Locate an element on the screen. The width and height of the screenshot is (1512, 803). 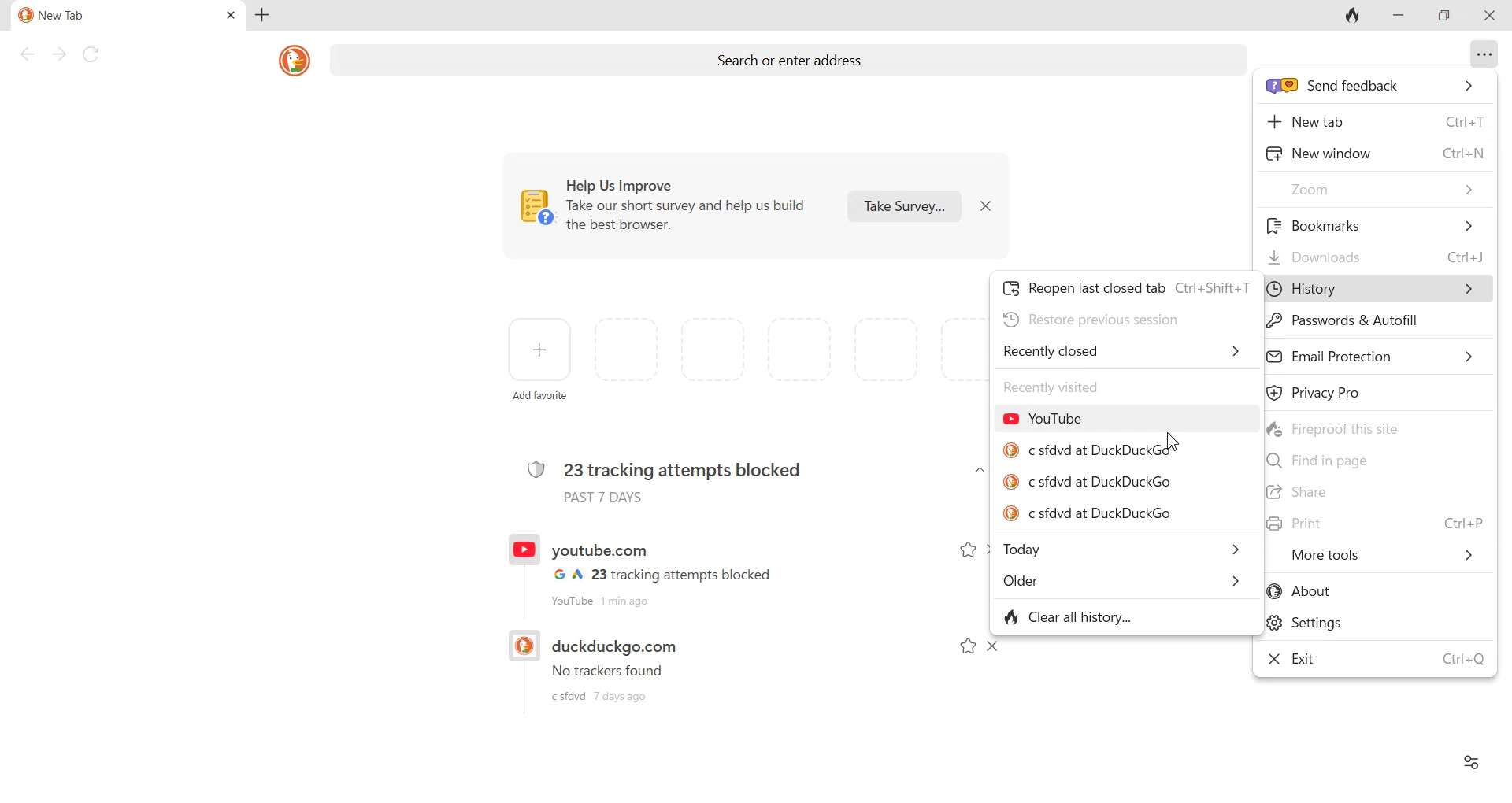
send feedback is located at coordinates (1377, 86).